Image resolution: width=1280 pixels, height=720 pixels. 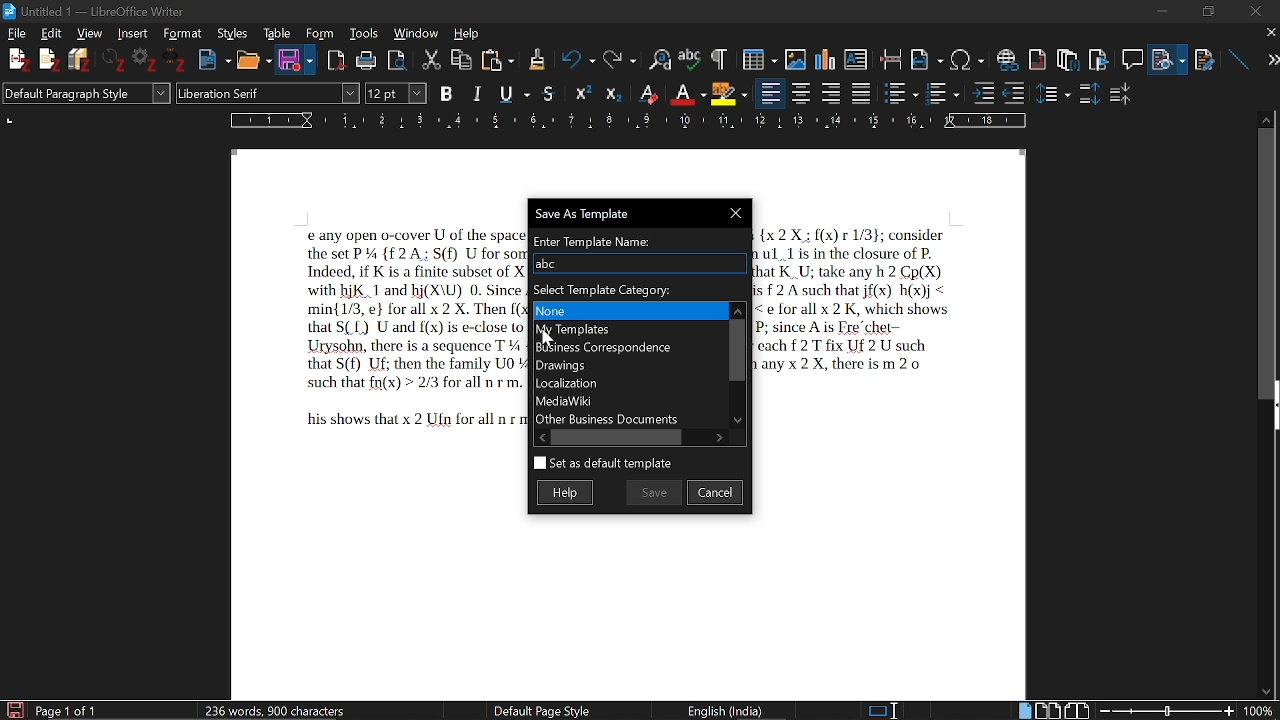 What do you see at coordinates (1166, 12) in the screenshot?
I see `minimize` at bounding box center [1166, 12].